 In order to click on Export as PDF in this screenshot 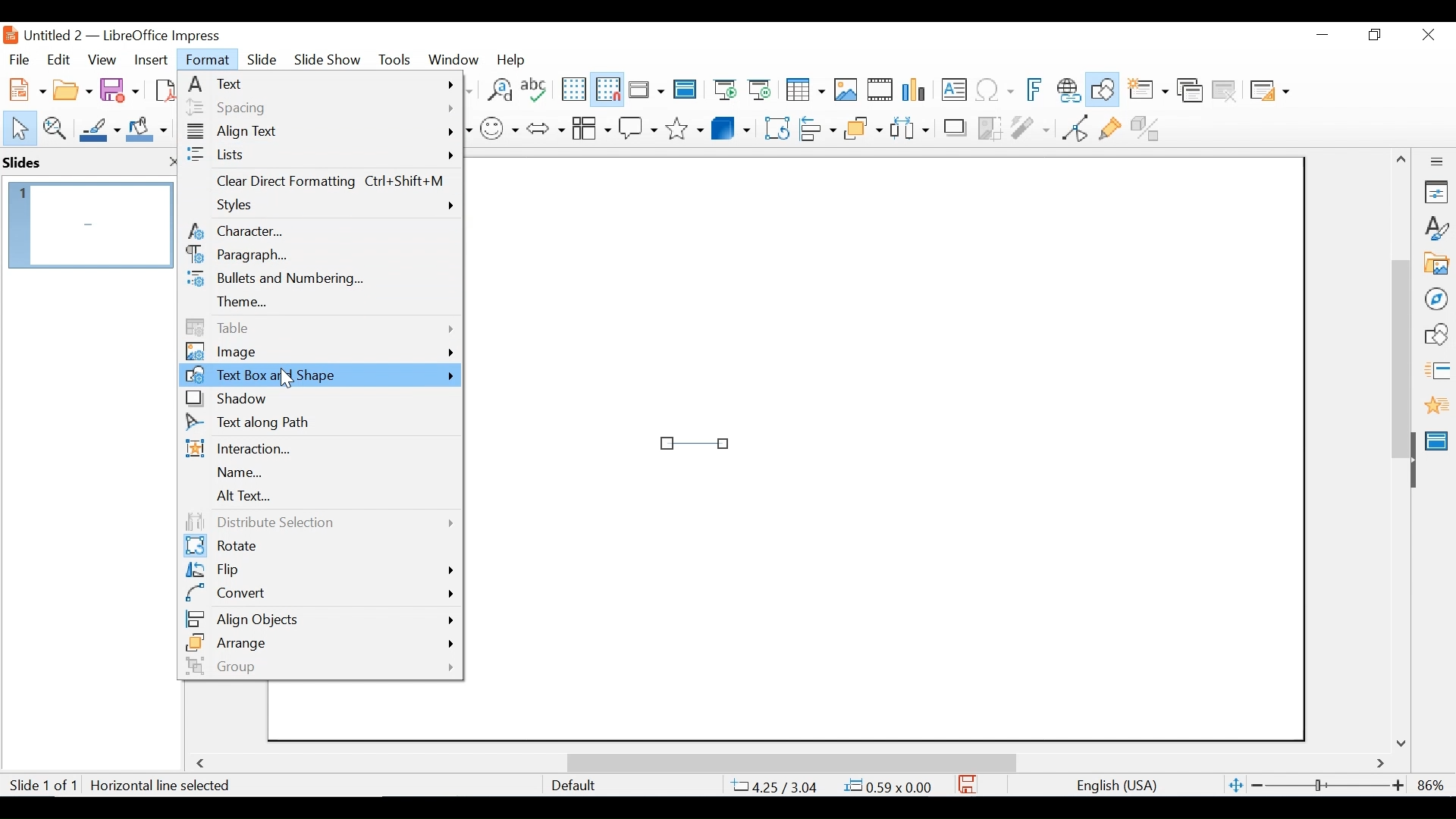, I will do `click(163, 88)`.